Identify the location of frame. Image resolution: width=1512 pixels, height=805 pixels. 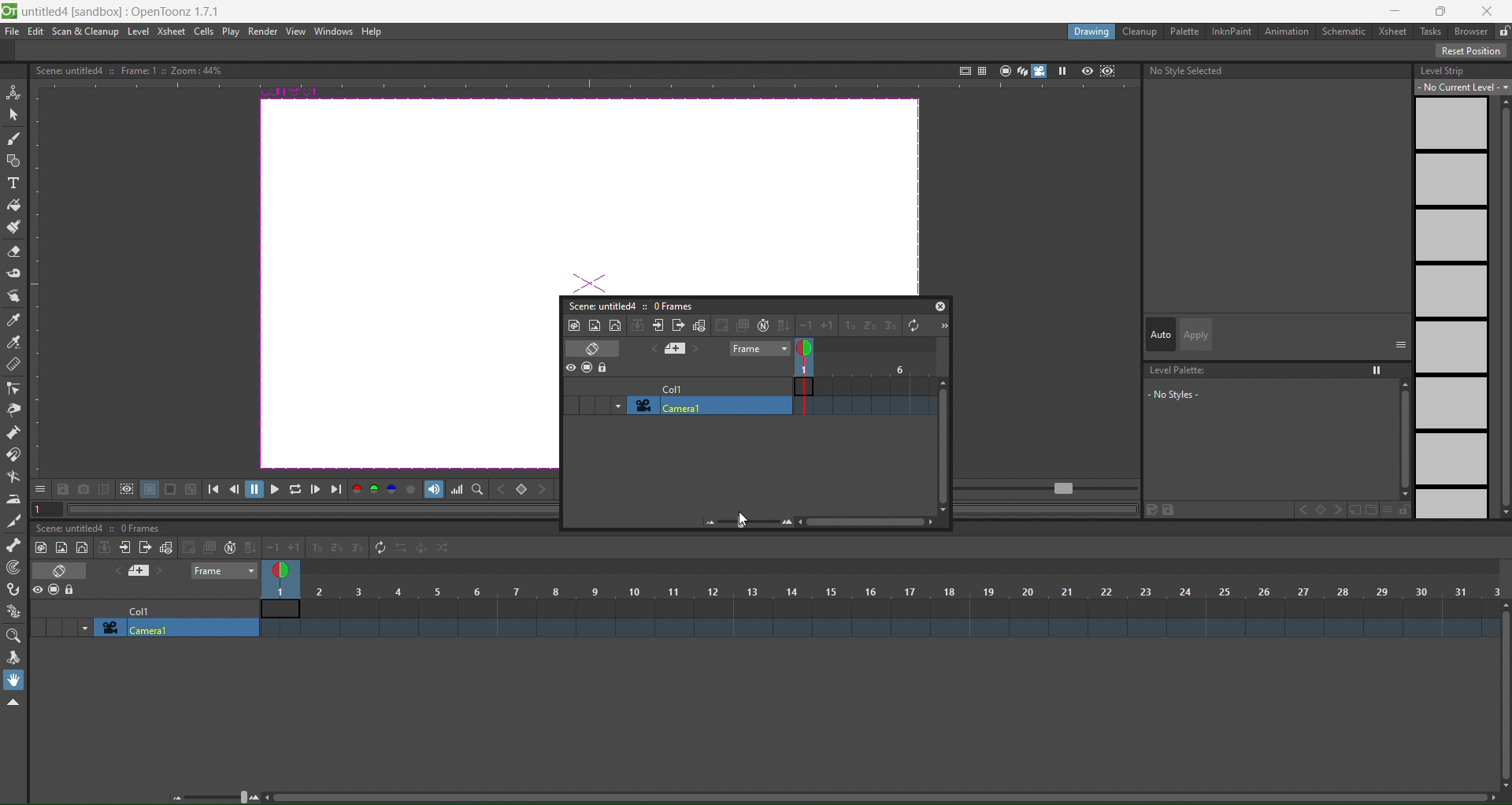
(758, 349).